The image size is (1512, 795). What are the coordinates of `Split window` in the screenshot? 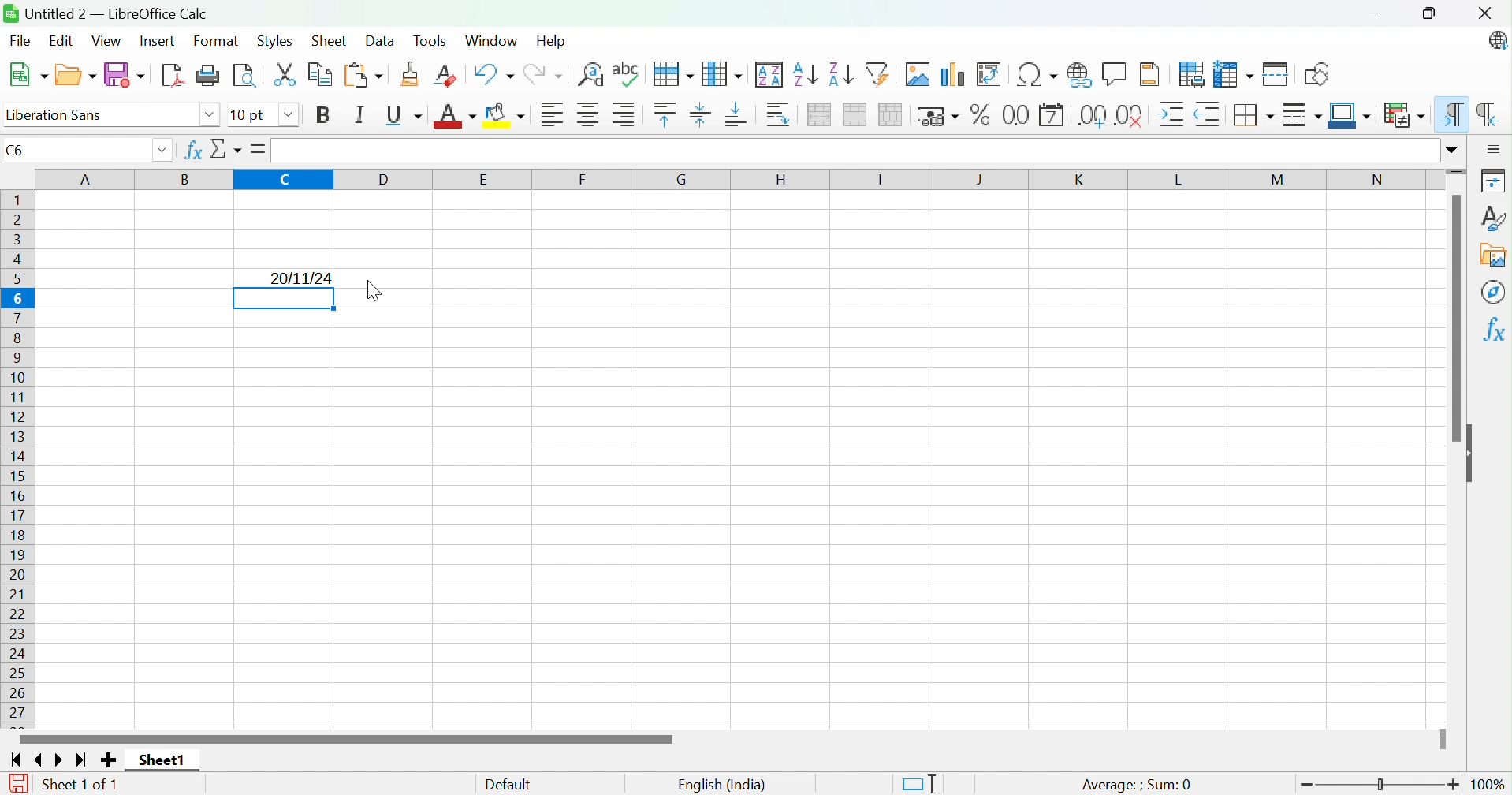 It's located at (1277, 74).